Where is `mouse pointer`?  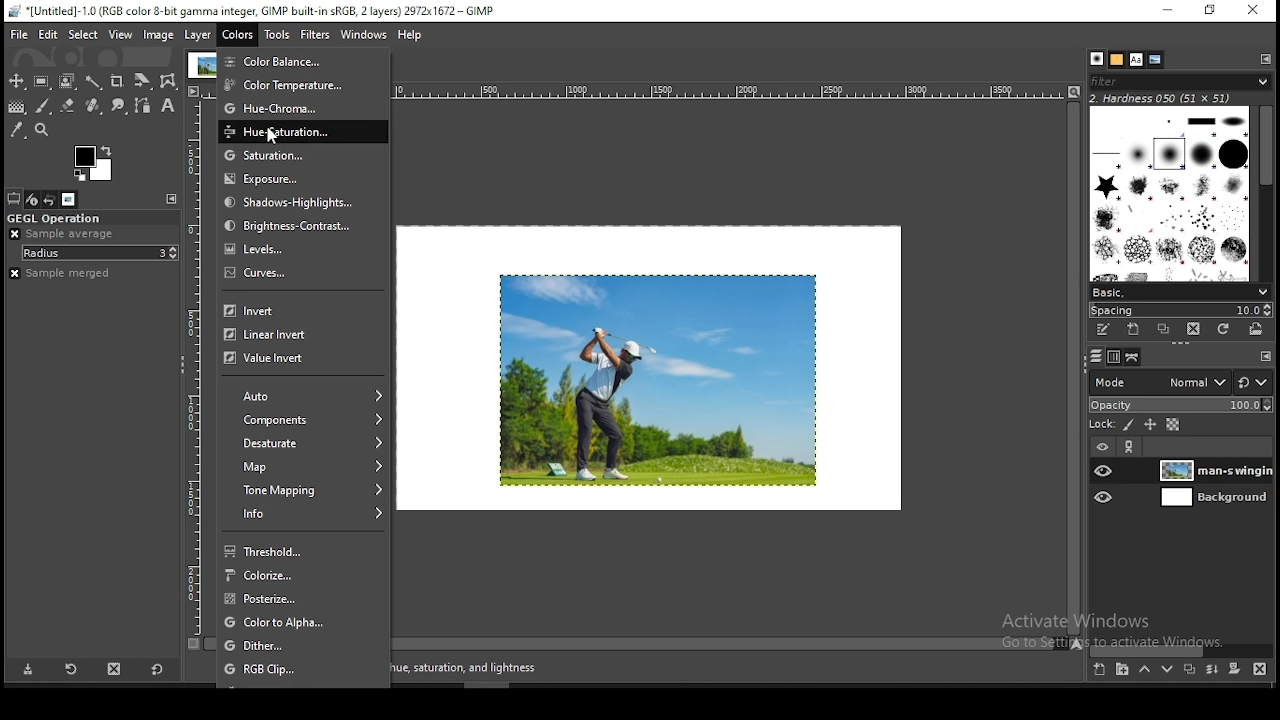
mouse pointer is located at coordinates (275, 135).